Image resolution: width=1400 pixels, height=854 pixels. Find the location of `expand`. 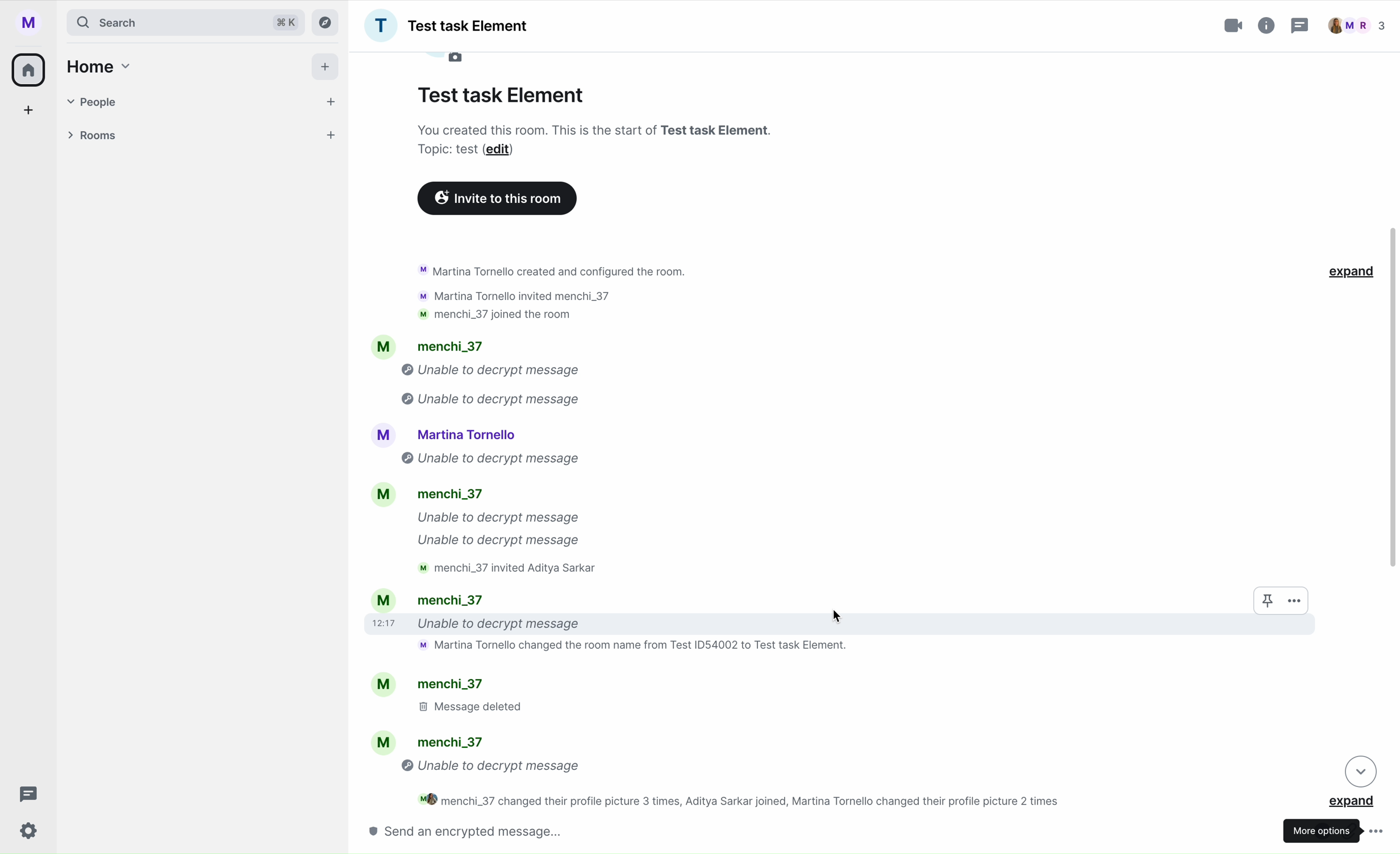

expand is located at coordinates (1348, 271).